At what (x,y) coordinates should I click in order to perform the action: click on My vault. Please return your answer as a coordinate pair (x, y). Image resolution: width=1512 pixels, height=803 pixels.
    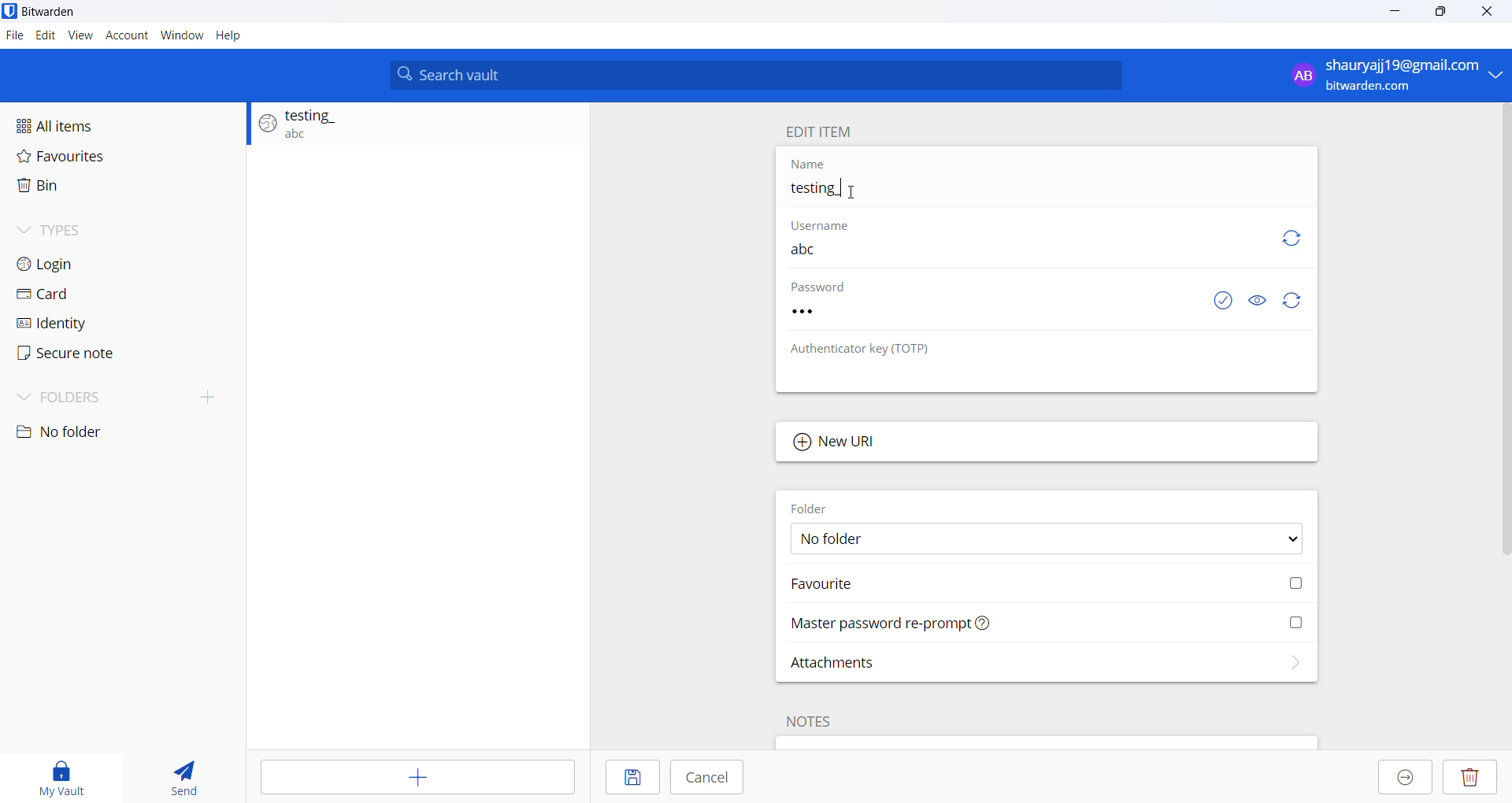
    Looking at the image, I should click on (69, 774).